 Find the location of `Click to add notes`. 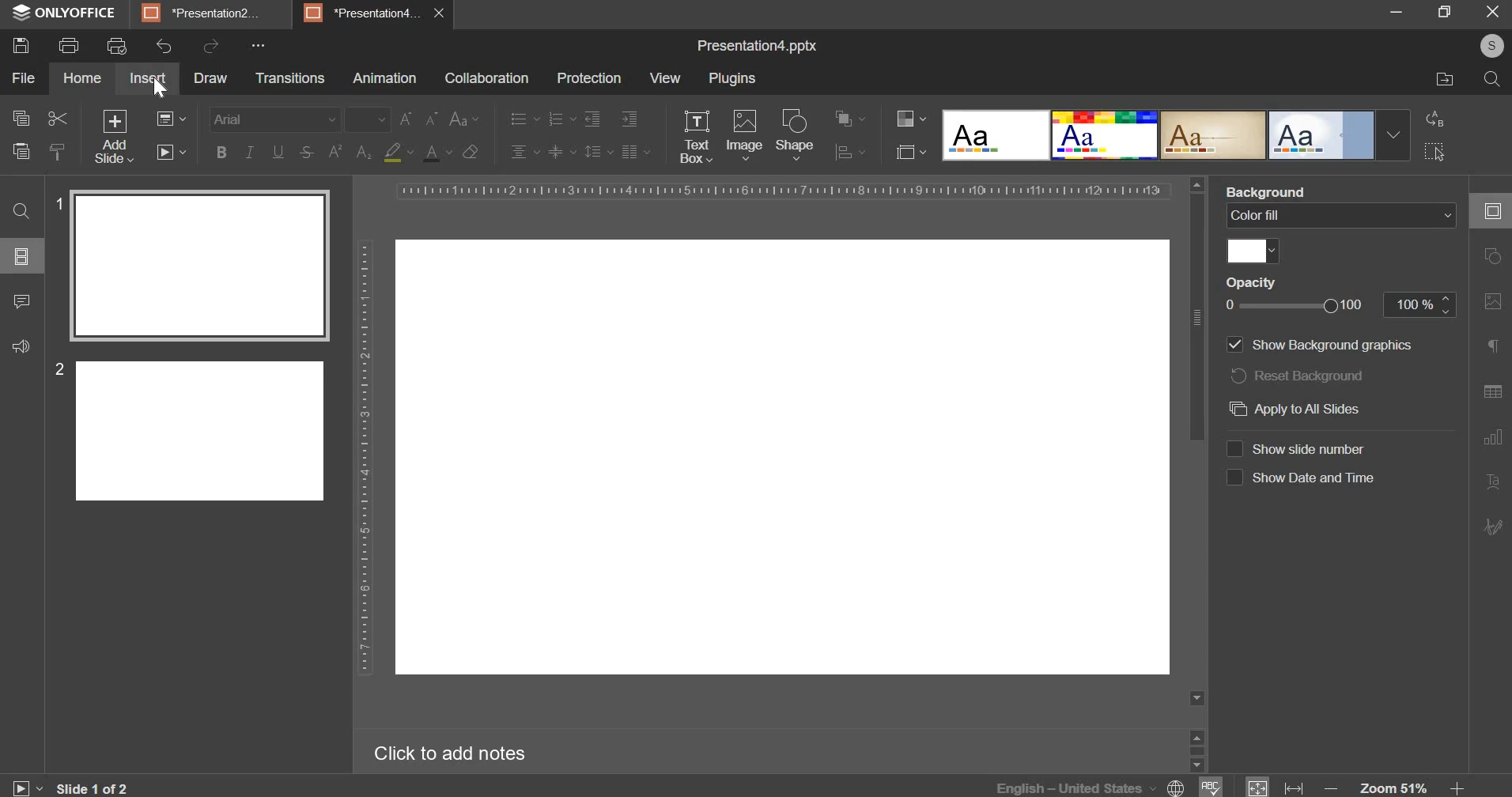

Click to add notes is located at coordinates (453, 755).